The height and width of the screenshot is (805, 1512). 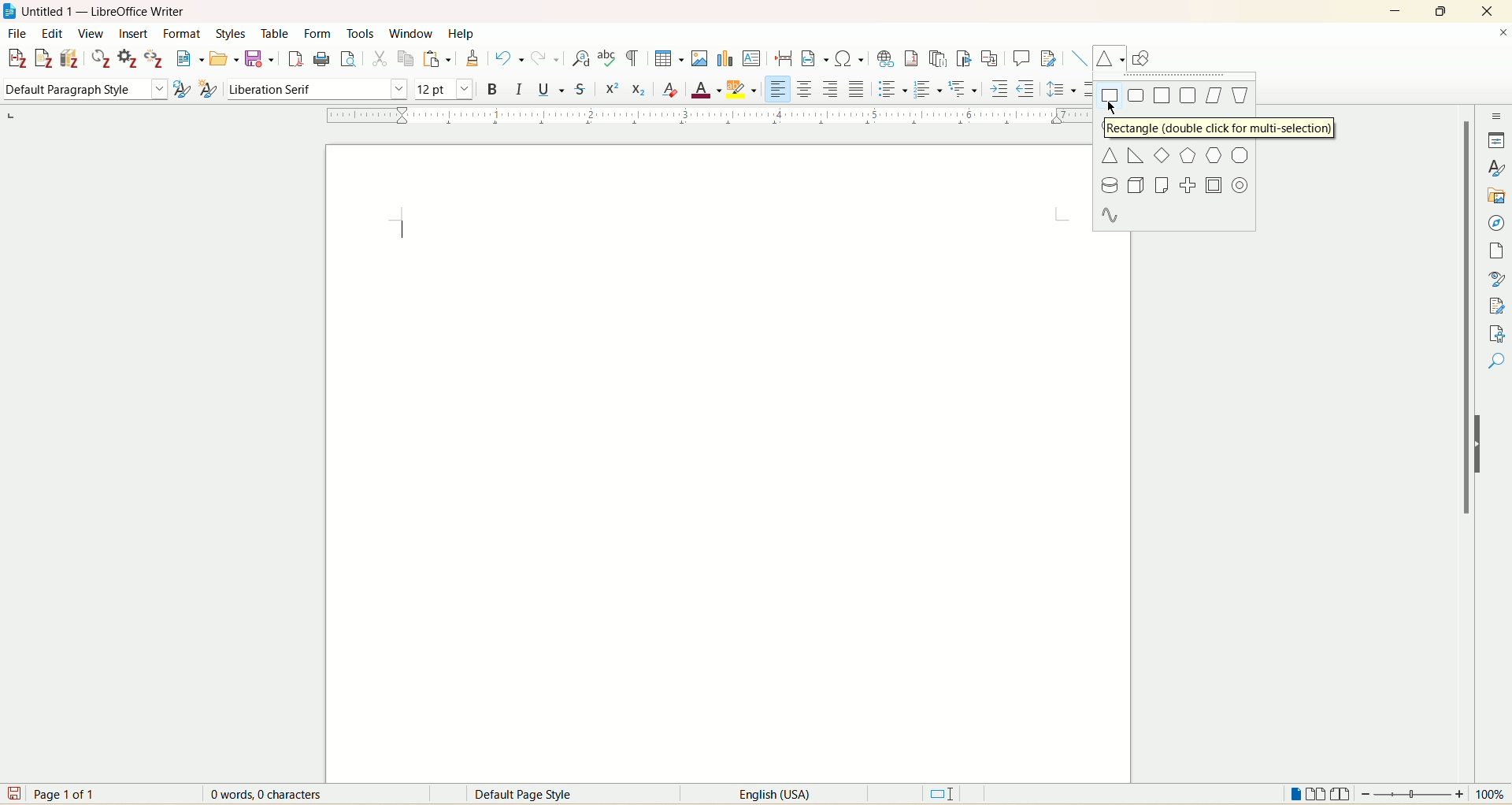 I want to click on frame, so click(x=1215, y=184).